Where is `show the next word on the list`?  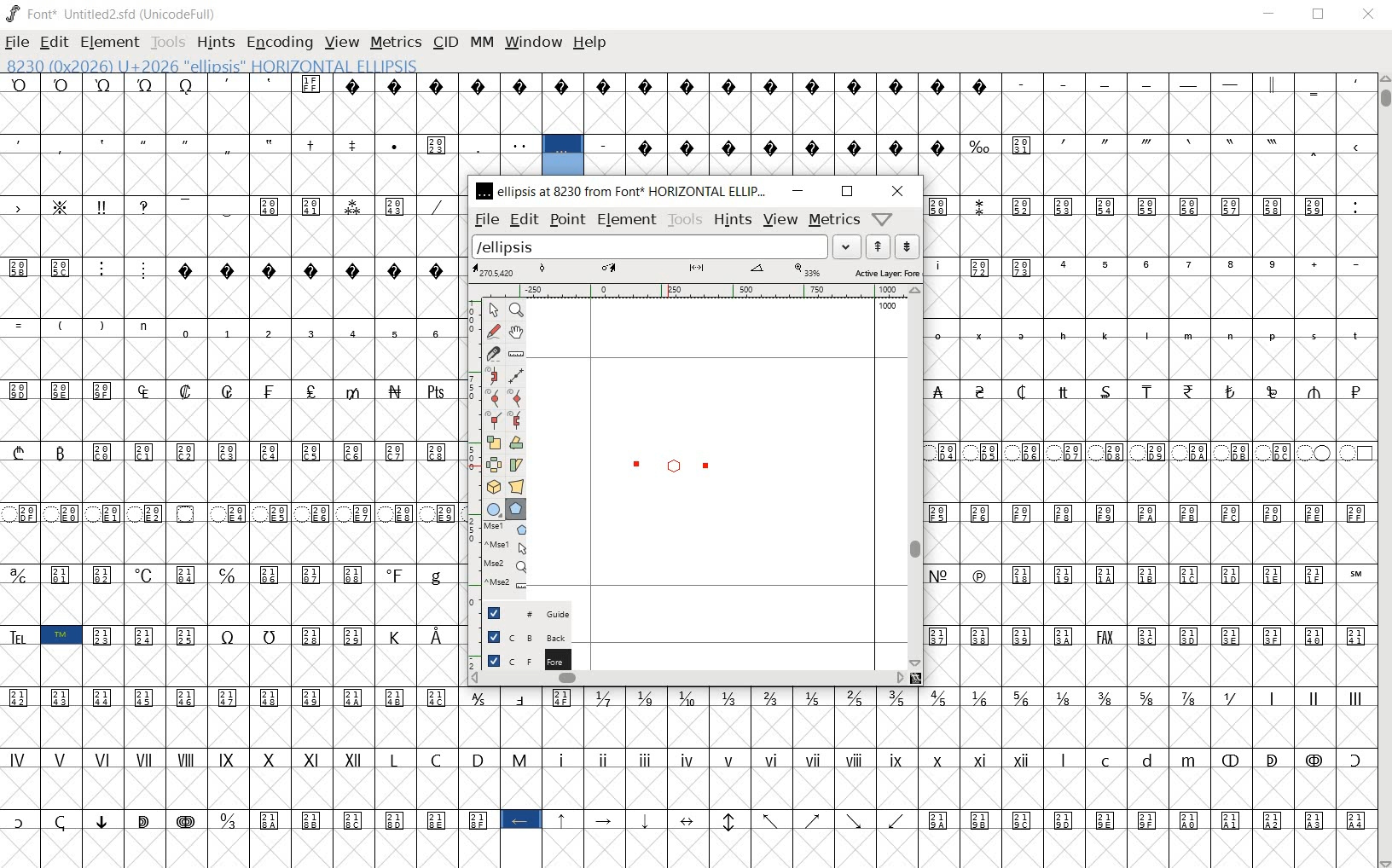
show the next word on the list is located at coordinates (878, 246).